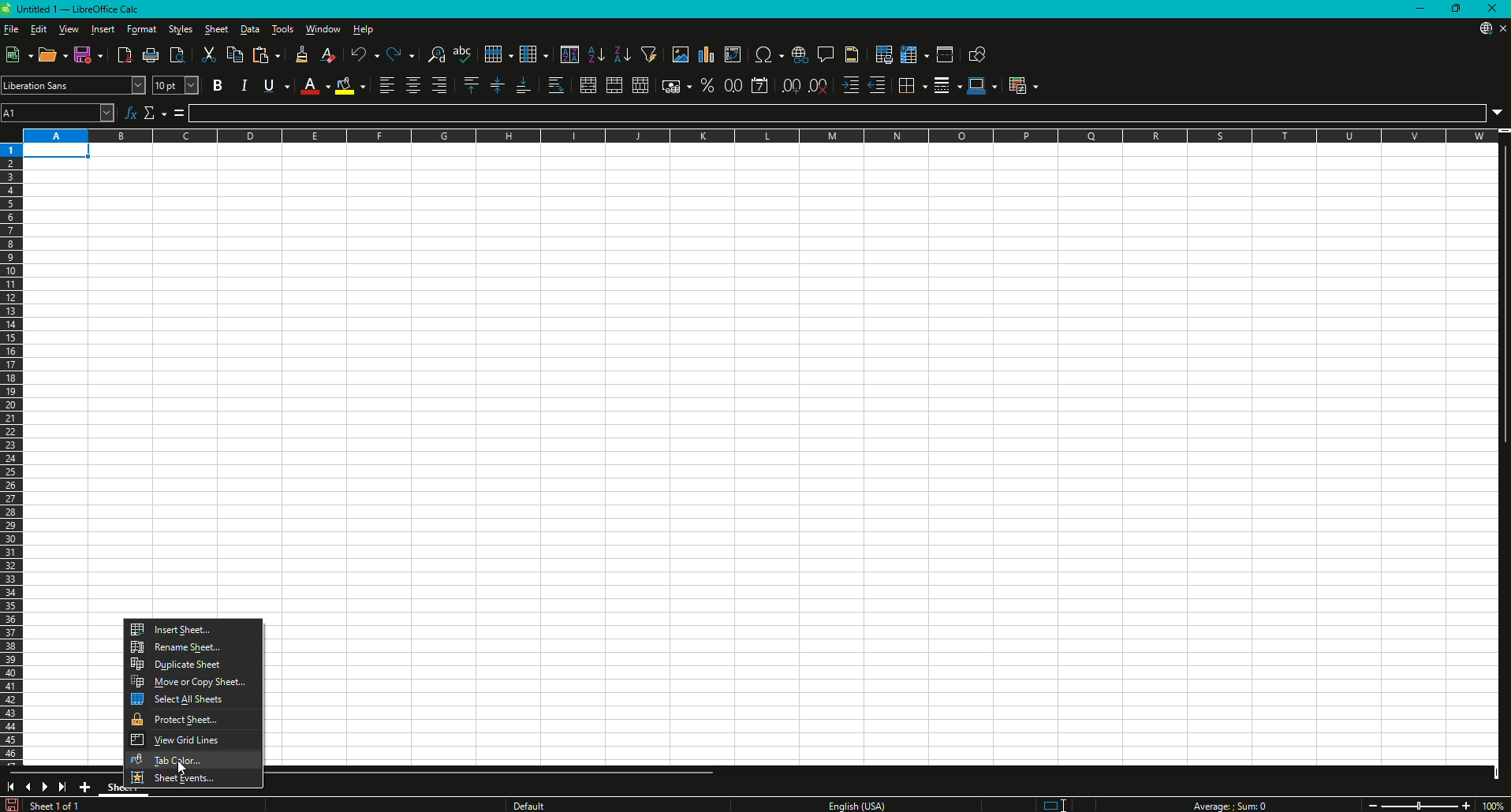 The height and width of the screenshot is (812, 1511). Describe the element at coordinates (63, 85) in the screenshot. I see `Font` at that location.